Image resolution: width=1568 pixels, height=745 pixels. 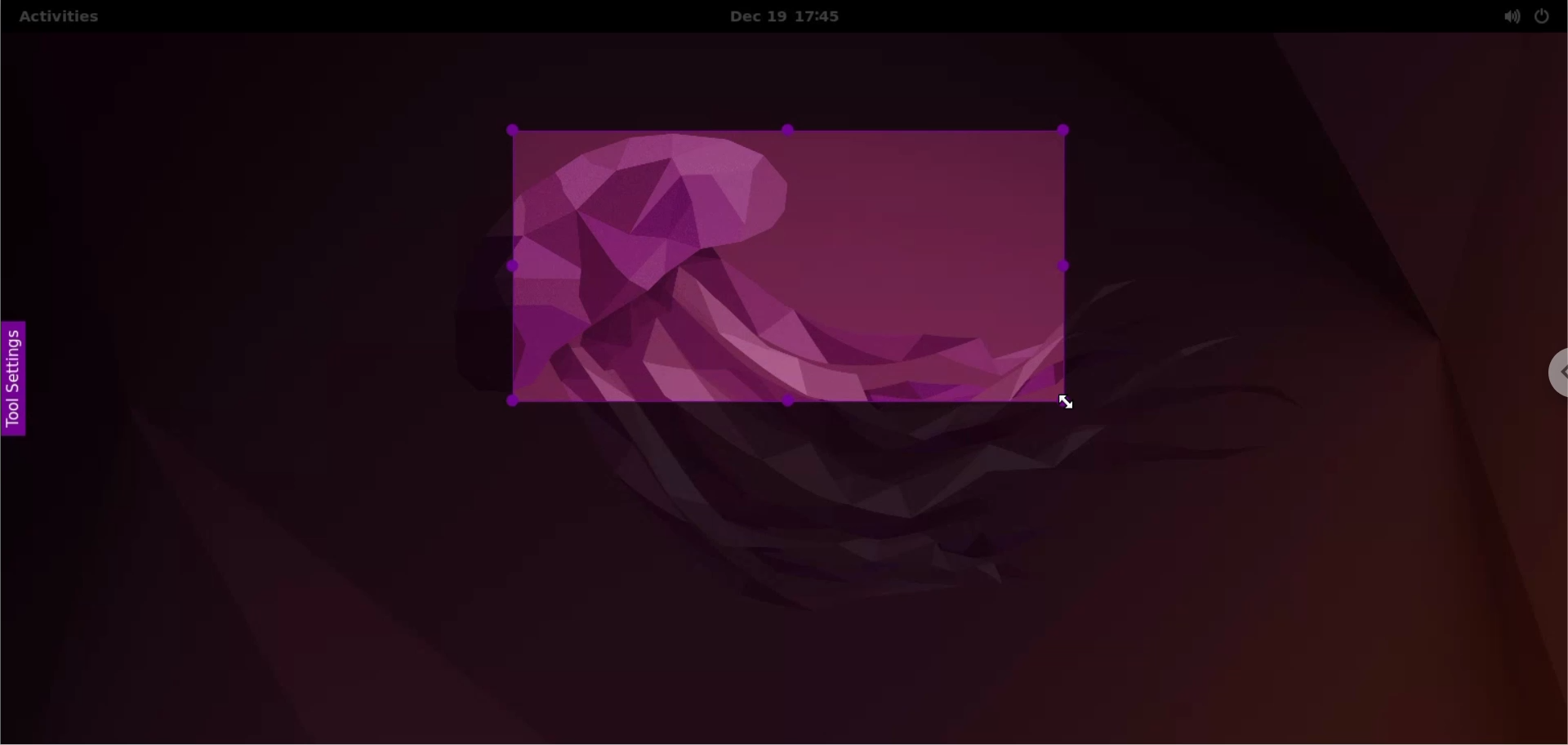 What do you see at coordinates (785, 268) in the screenshot?
I see `selected capture area` at bounding box center [785, 268].